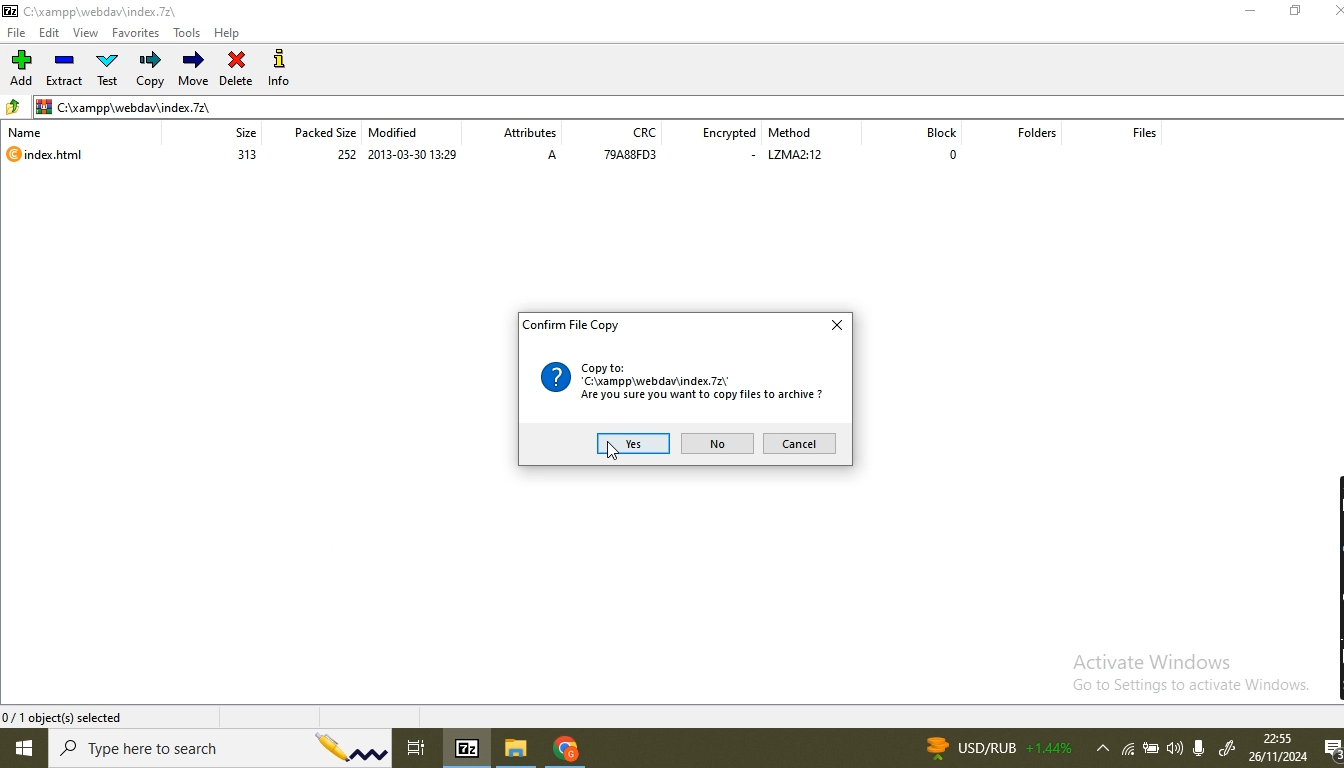  What do you see at coordinates (833, 323) in the screenshot?
I see `close` at bounding box center [833, 323].